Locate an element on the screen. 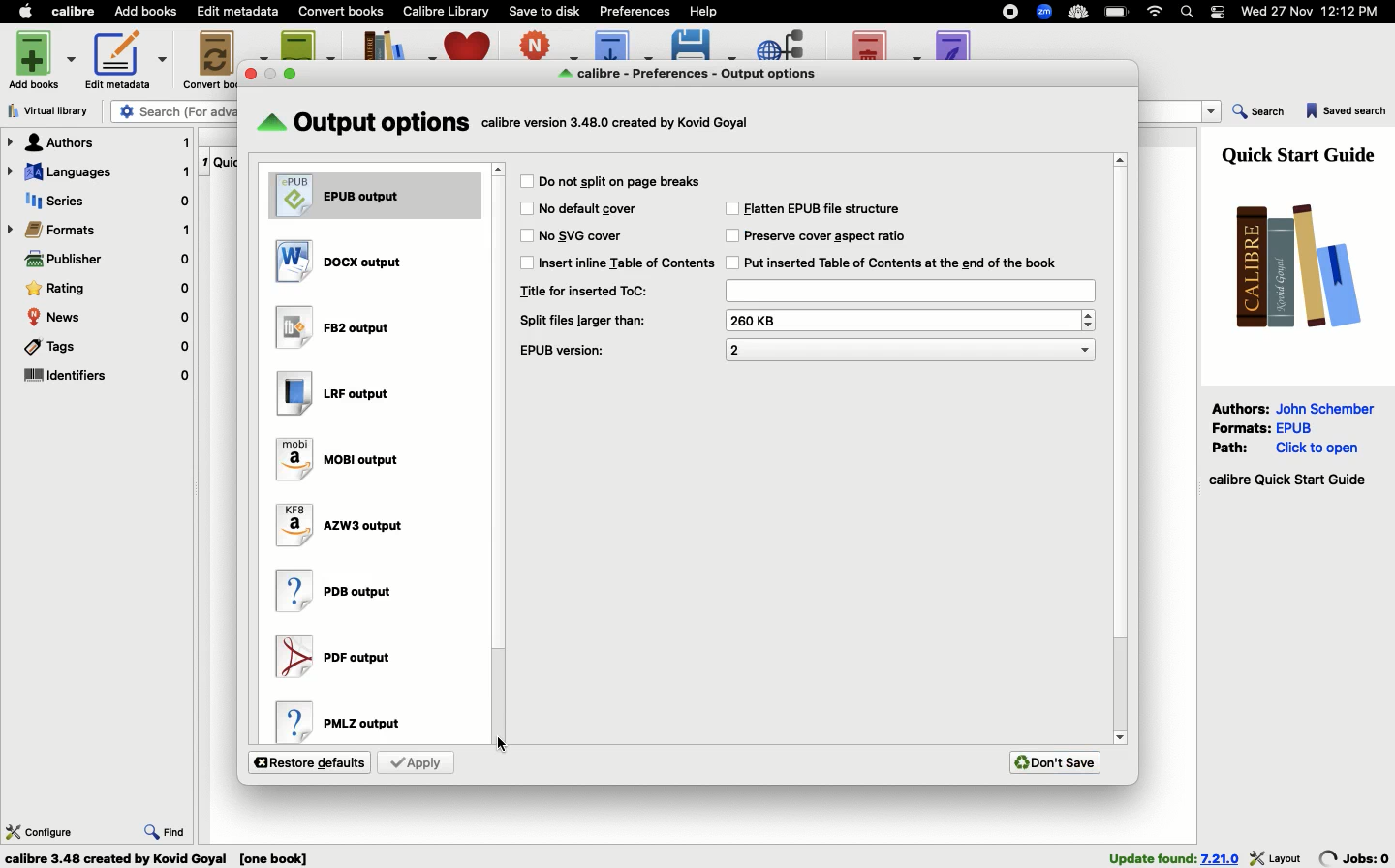  DOCX is located at coordinates (344, 261).